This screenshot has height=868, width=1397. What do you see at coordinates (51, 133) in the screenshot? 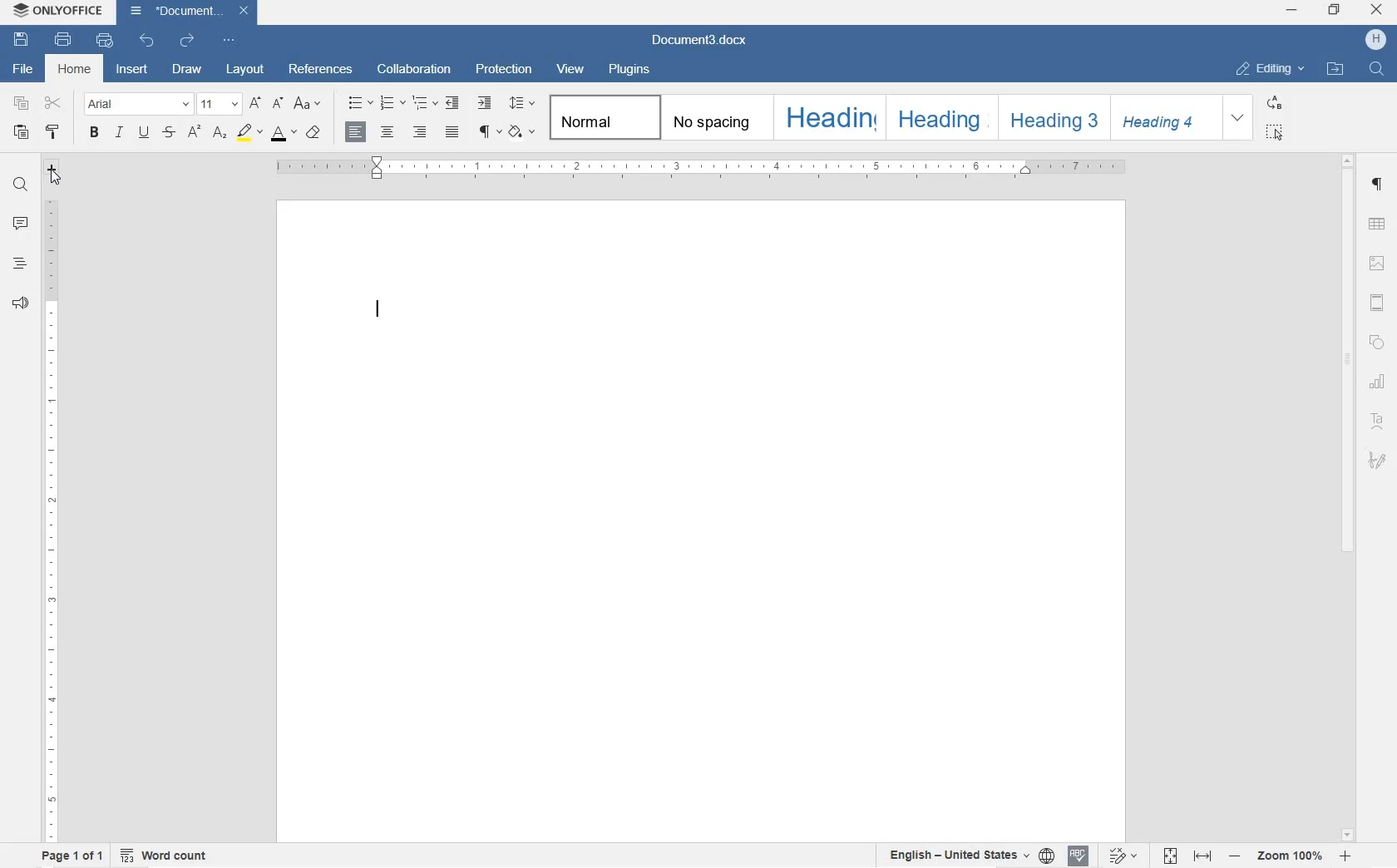
I see `COPY STYLE` at bounding box center [51, 133].